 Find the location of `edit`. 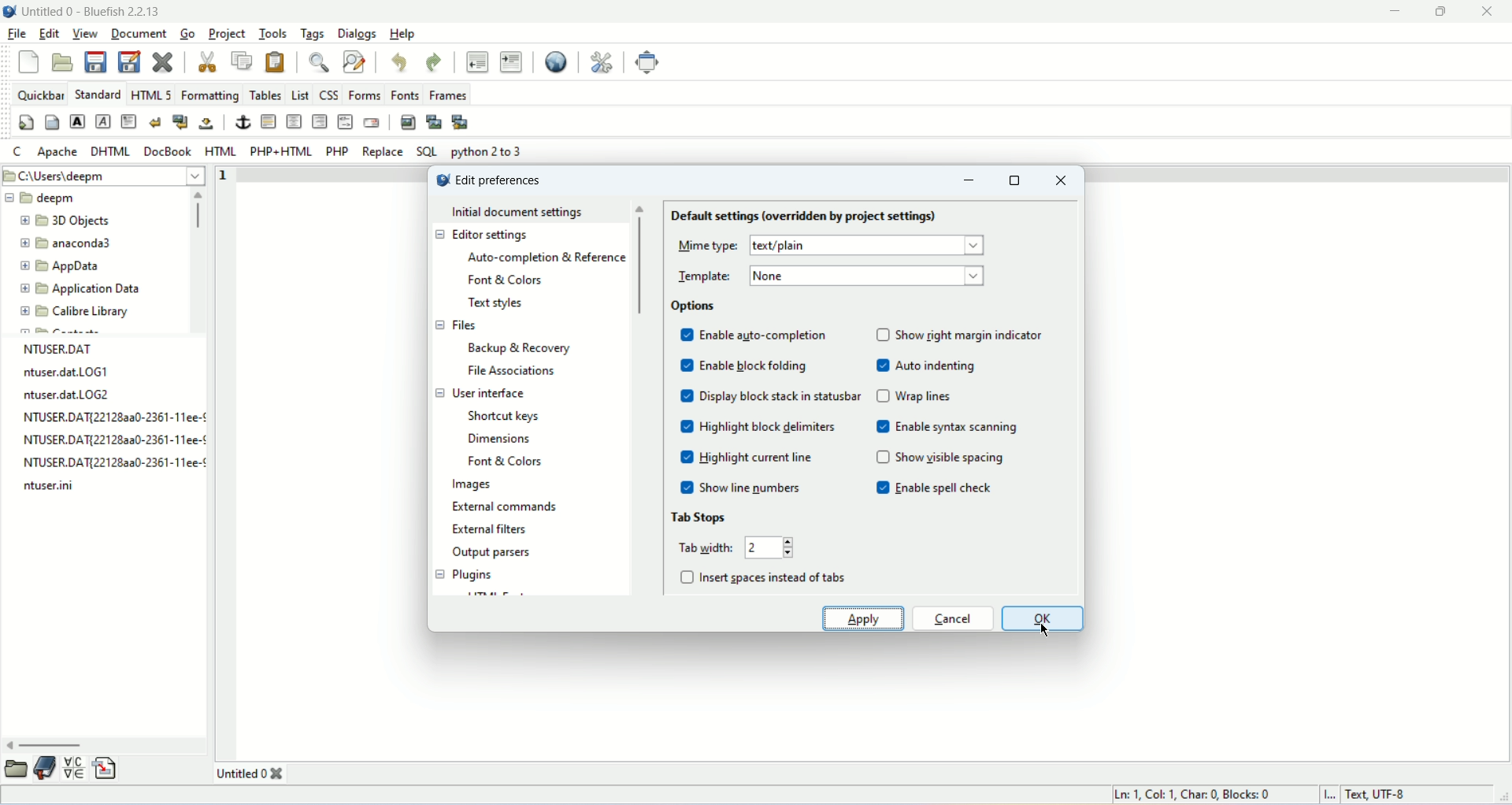

edit is located at coordinates (50, 34).